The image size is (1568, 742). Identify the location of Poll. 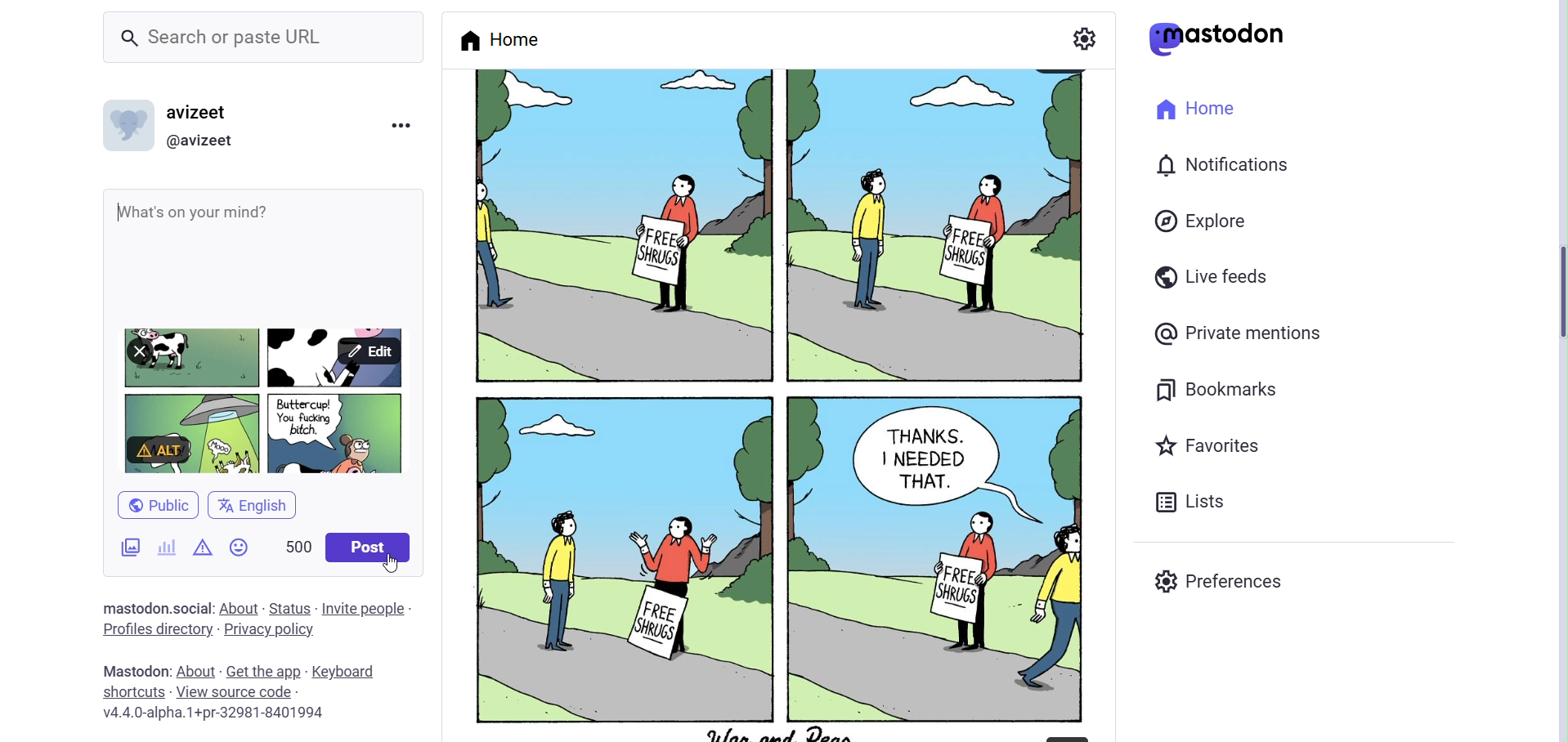
(166, 547).